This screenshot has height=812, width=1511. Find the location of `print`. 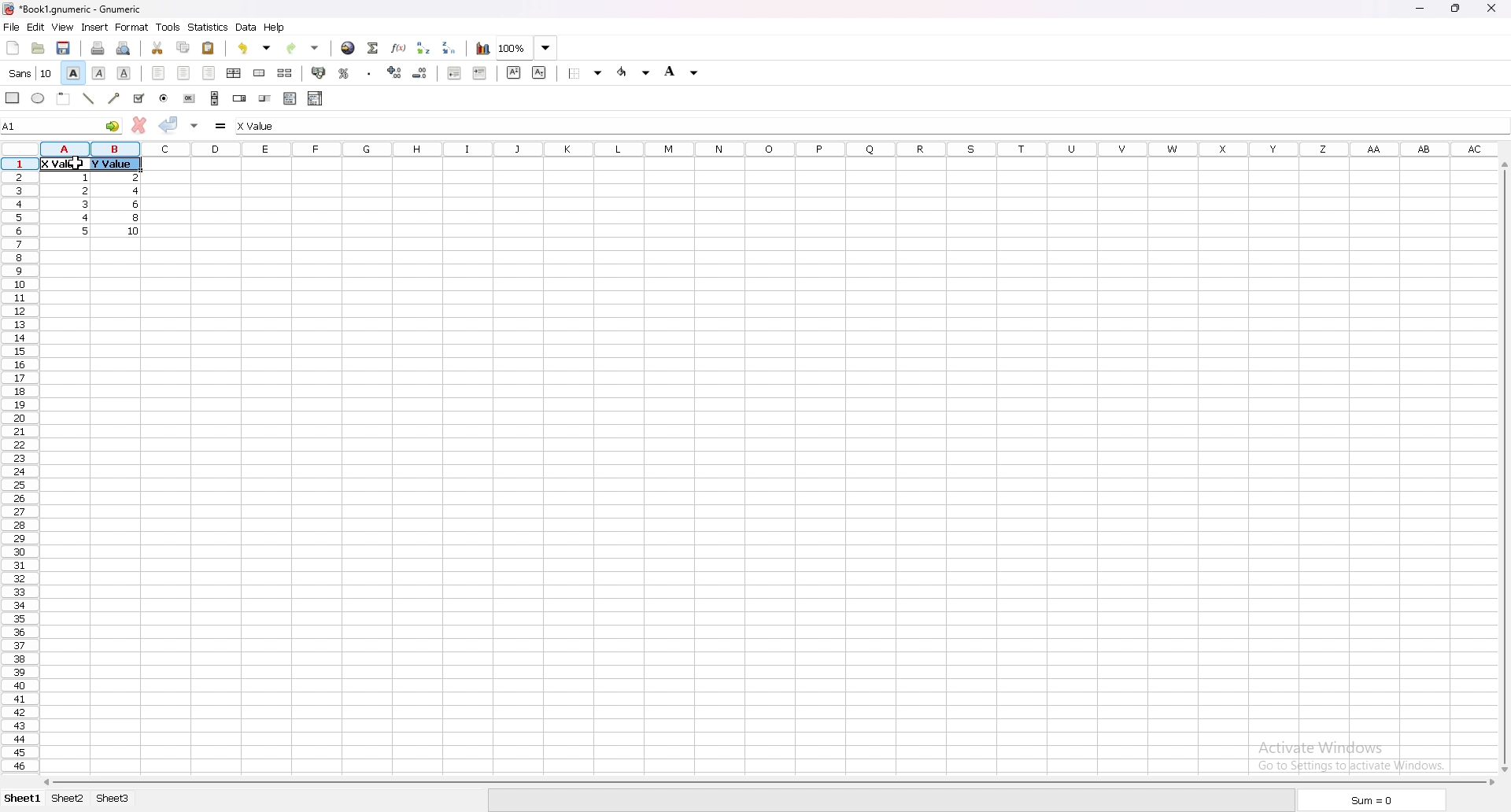

print is located at coordinates (98, 48).